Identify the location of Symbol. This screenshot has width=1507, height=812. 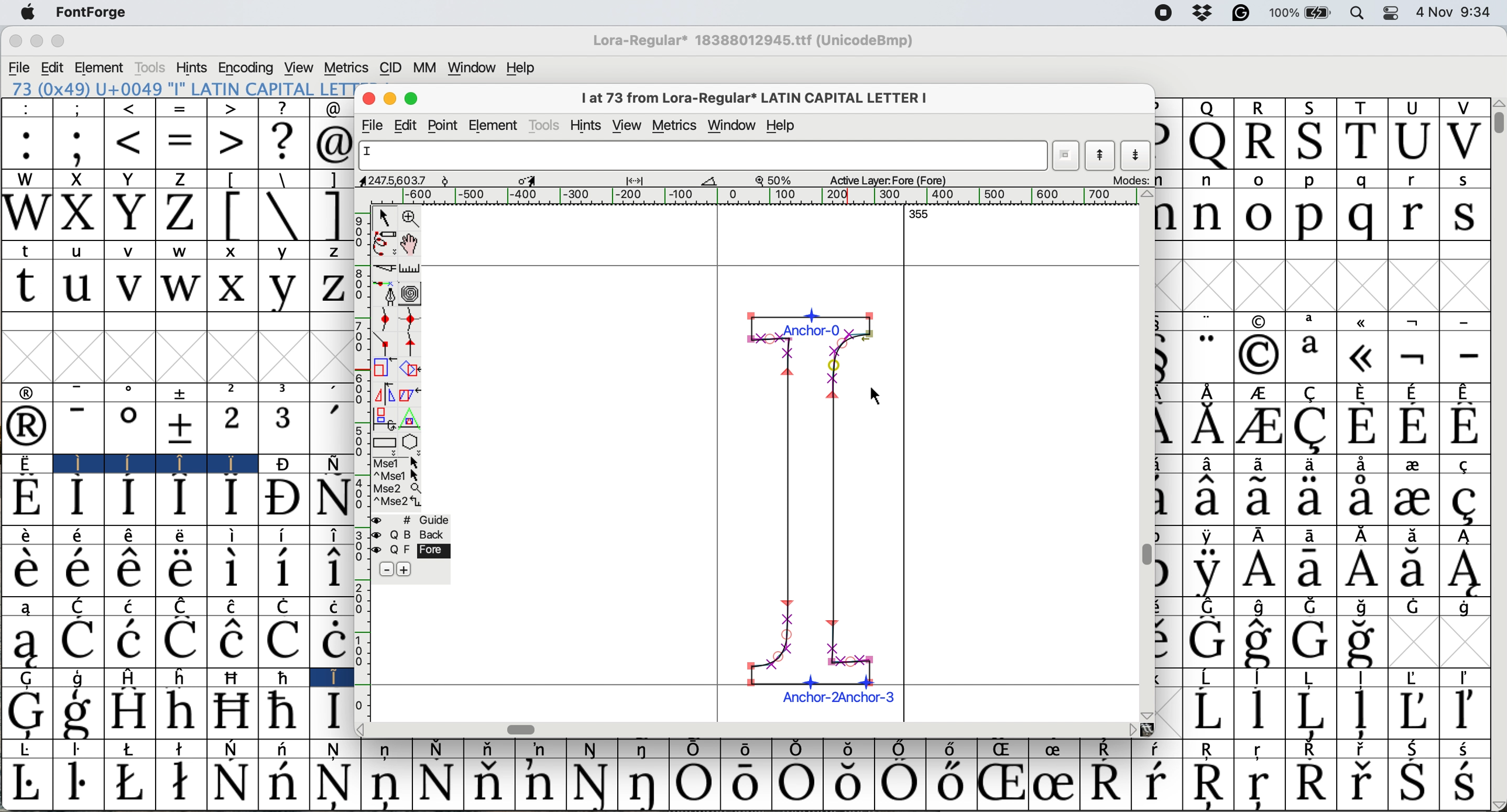
(228, 465).